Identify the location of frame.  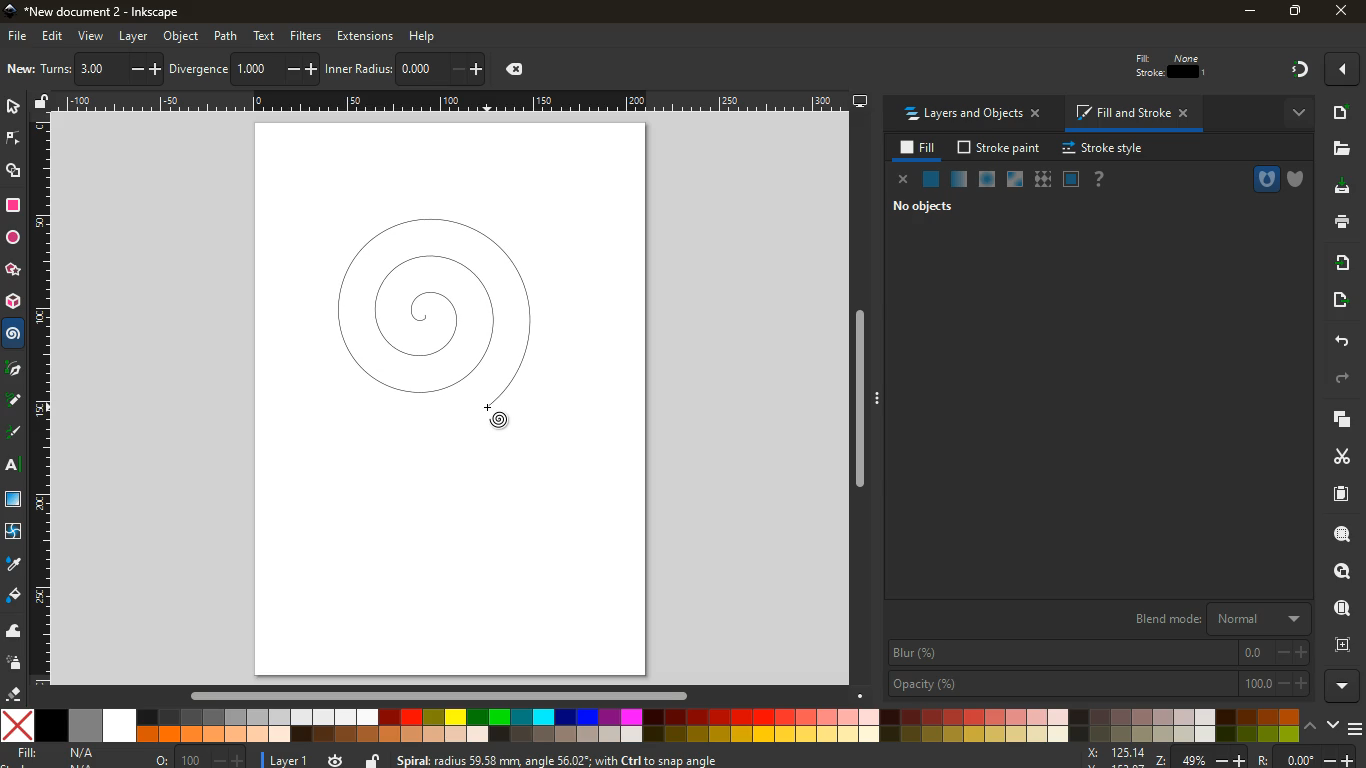
(1341, 647).